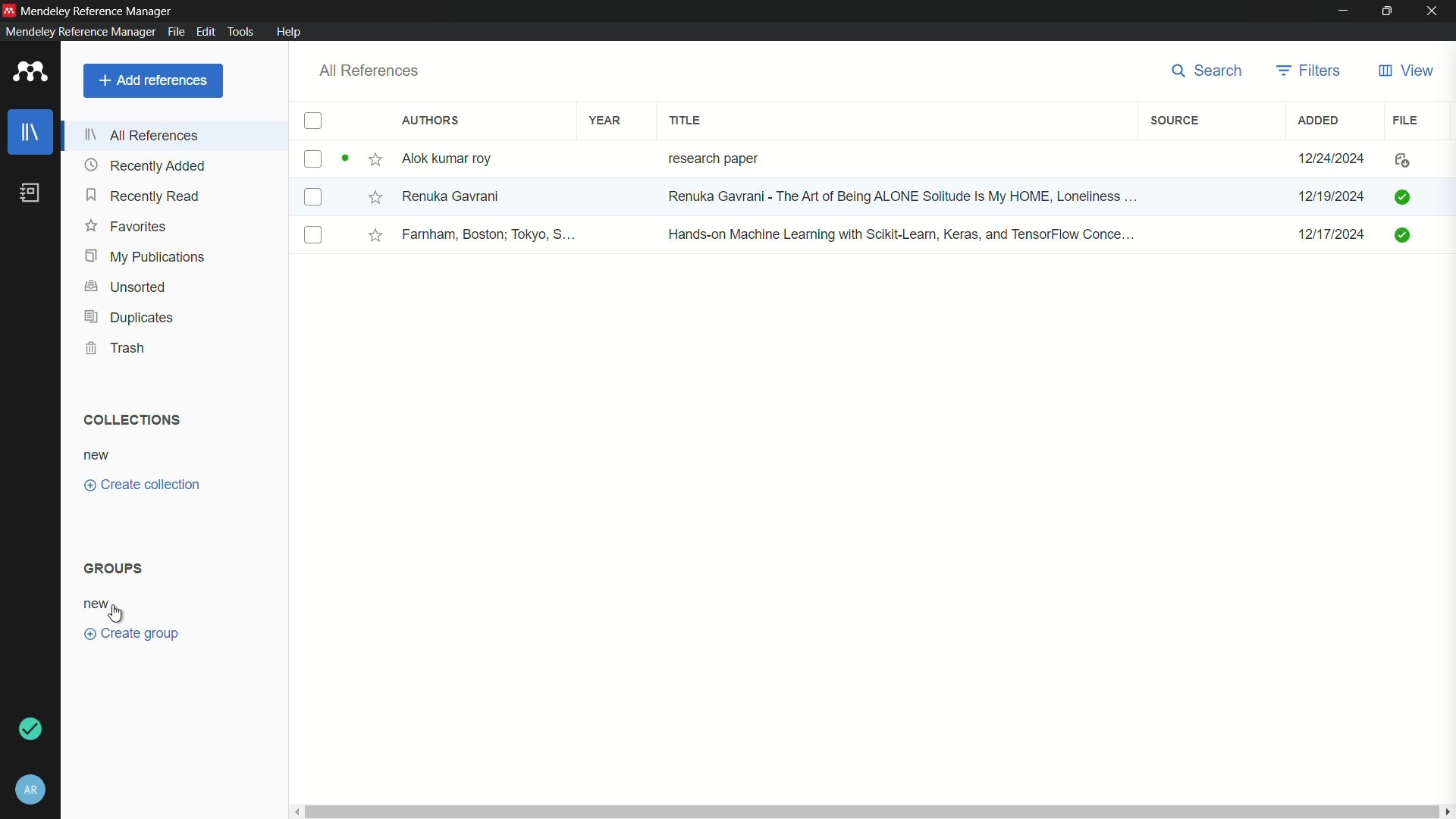  What do you see at coordinates (77, 32) in the screenshot?
I see `app name` at bounding box center [77, 32].